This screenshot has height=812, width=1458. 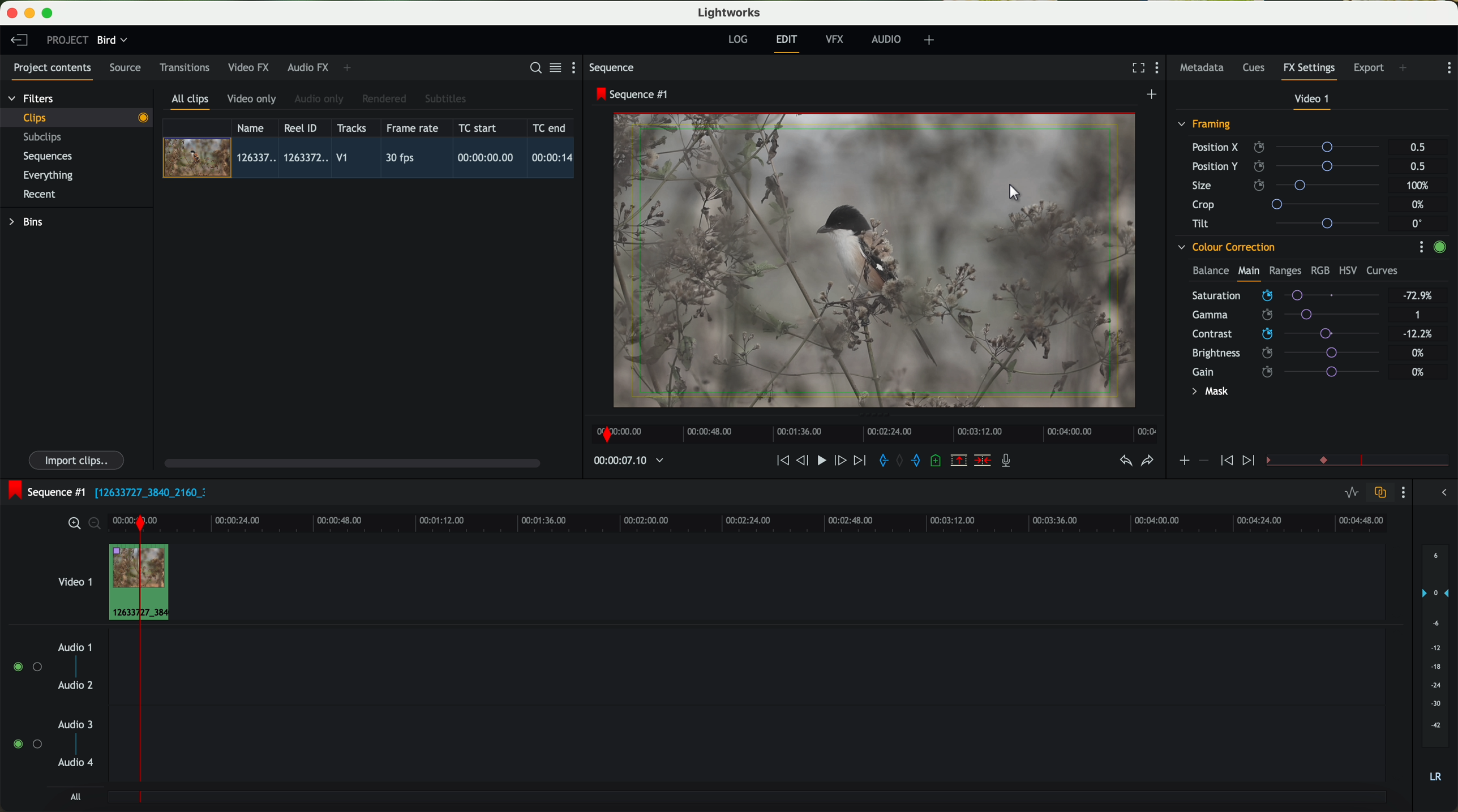 What do you see at coordinates (413, 128) in the screenshot?
I see `frame rate` at bounding box center [413, 128].